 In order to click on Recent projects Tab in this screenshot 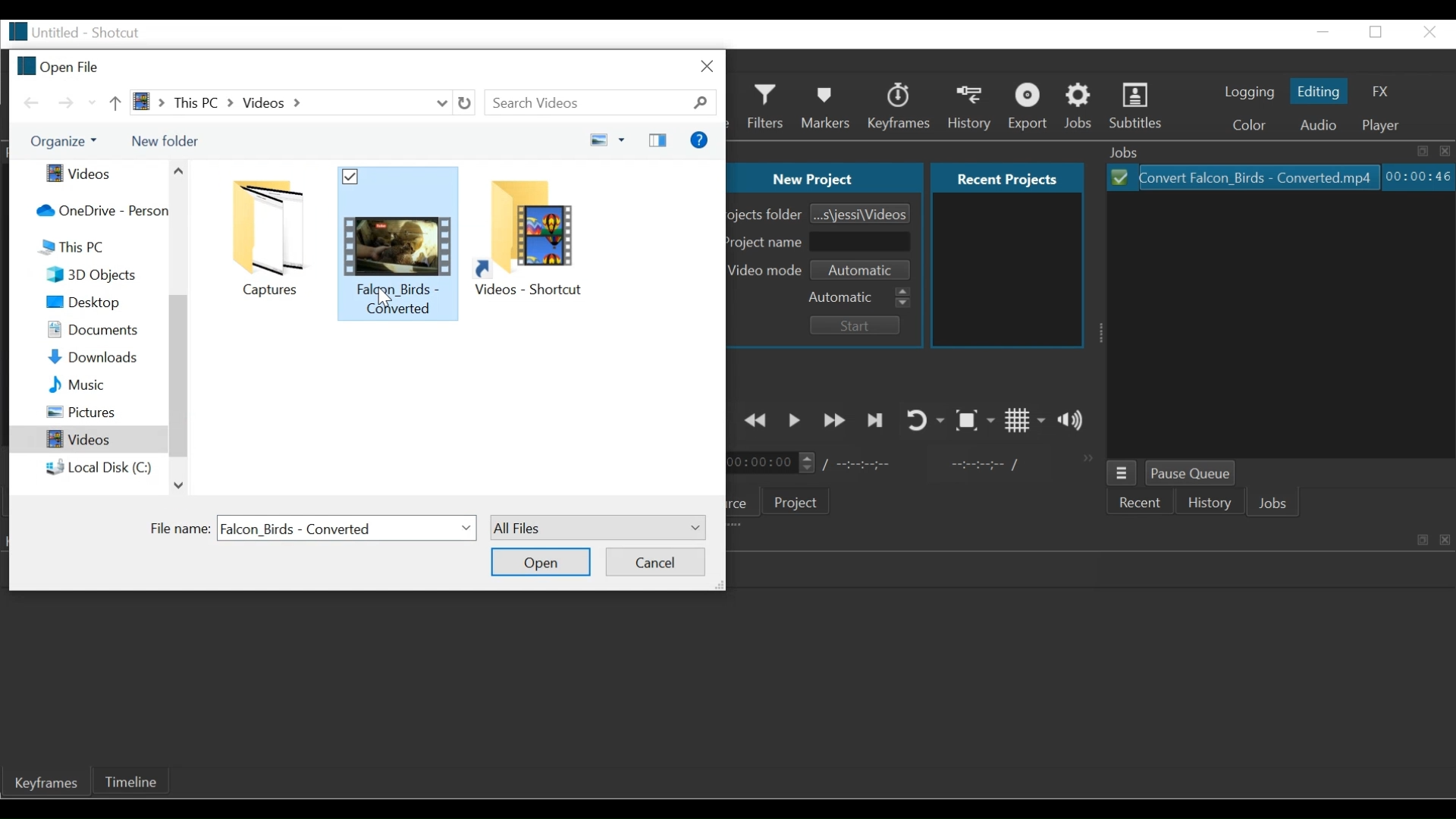, I will do `click(1009, 178)`.